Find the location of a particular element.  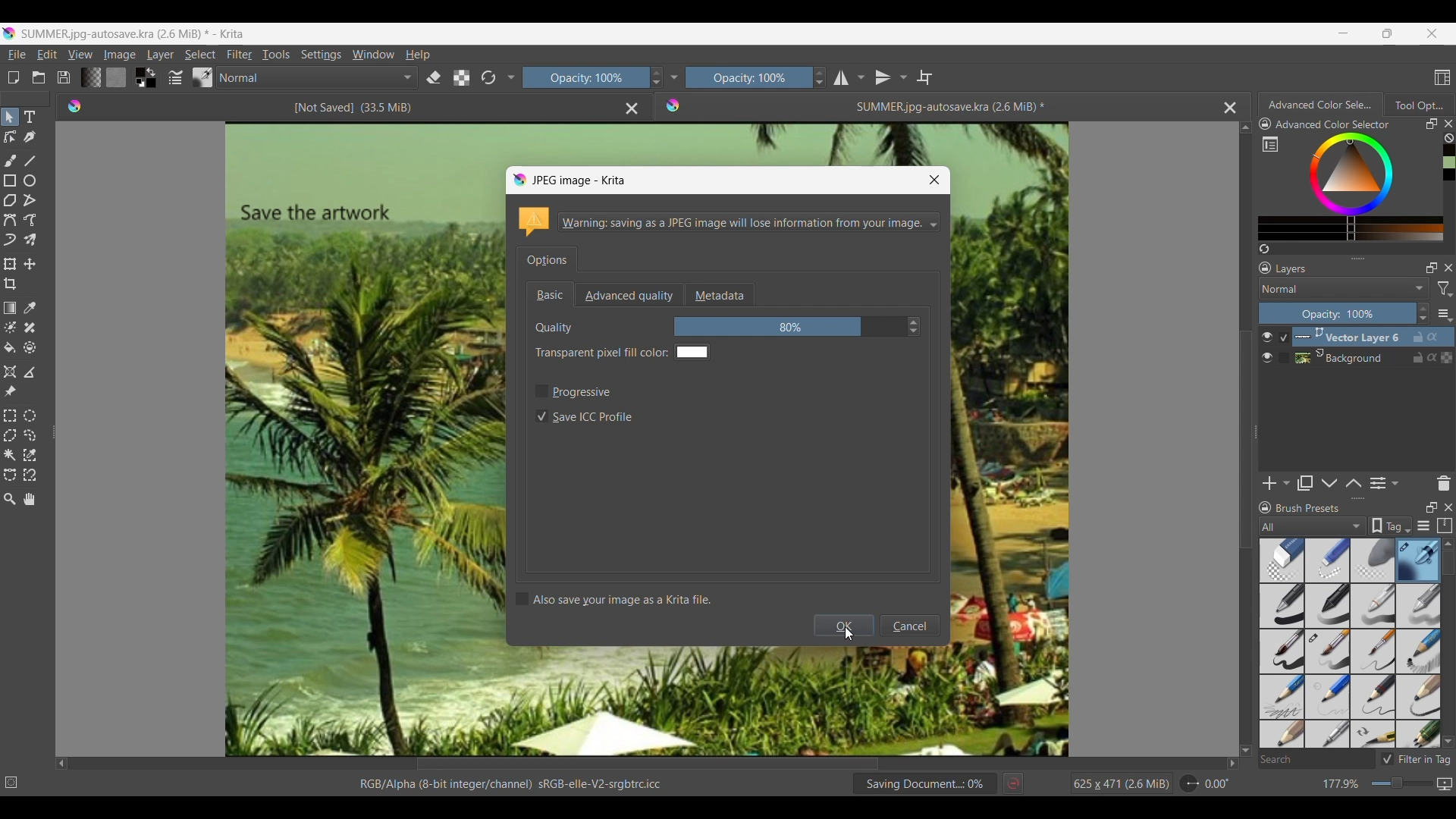

Indicates current selection is located at coordinates (1283, 347).